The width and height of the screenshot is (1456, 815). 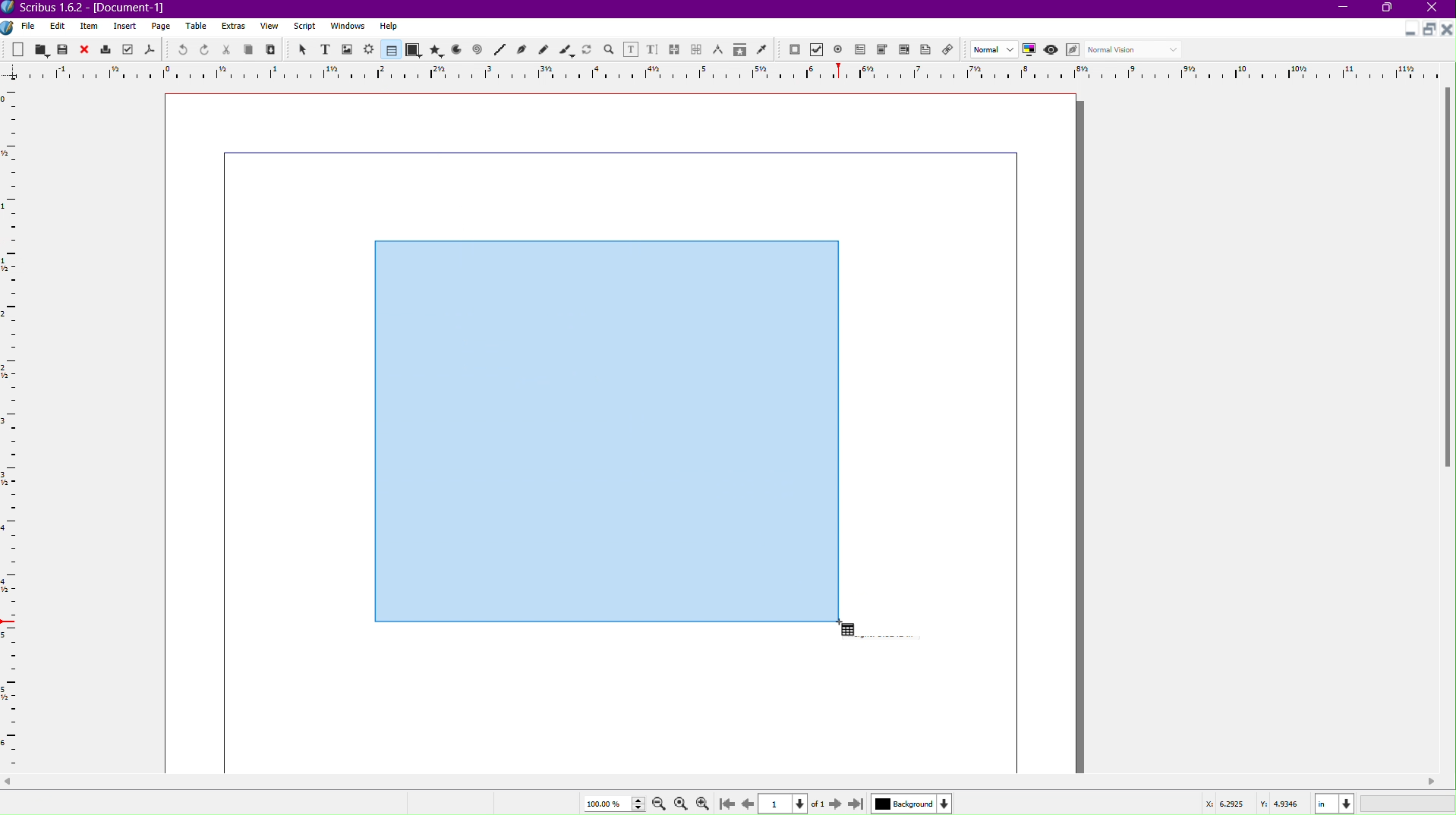 I want to click on Copy, so click(x=251, y=49).